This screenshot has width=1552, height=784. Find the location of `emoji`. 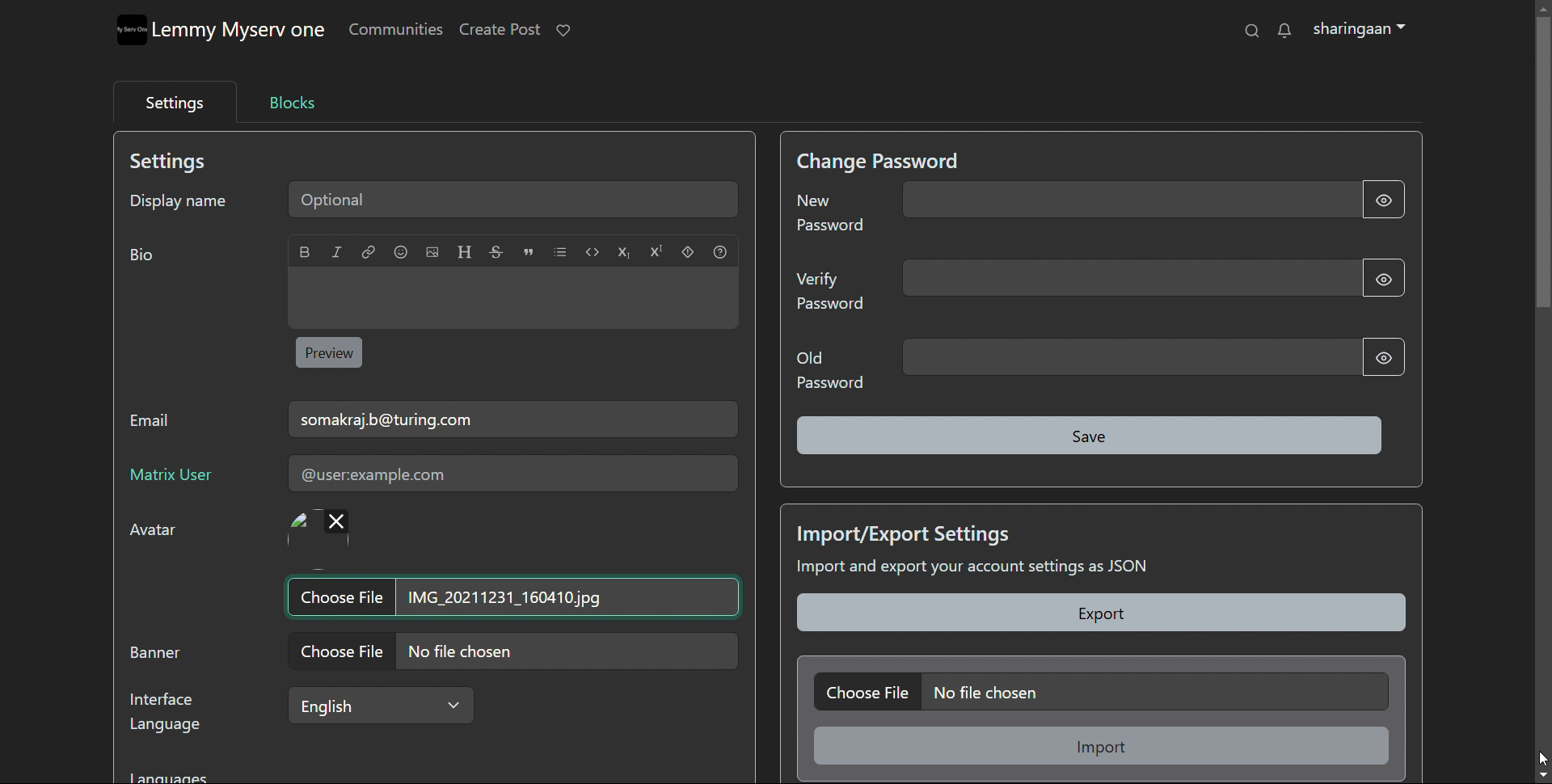

emoji is located at coordinates (400, 251).